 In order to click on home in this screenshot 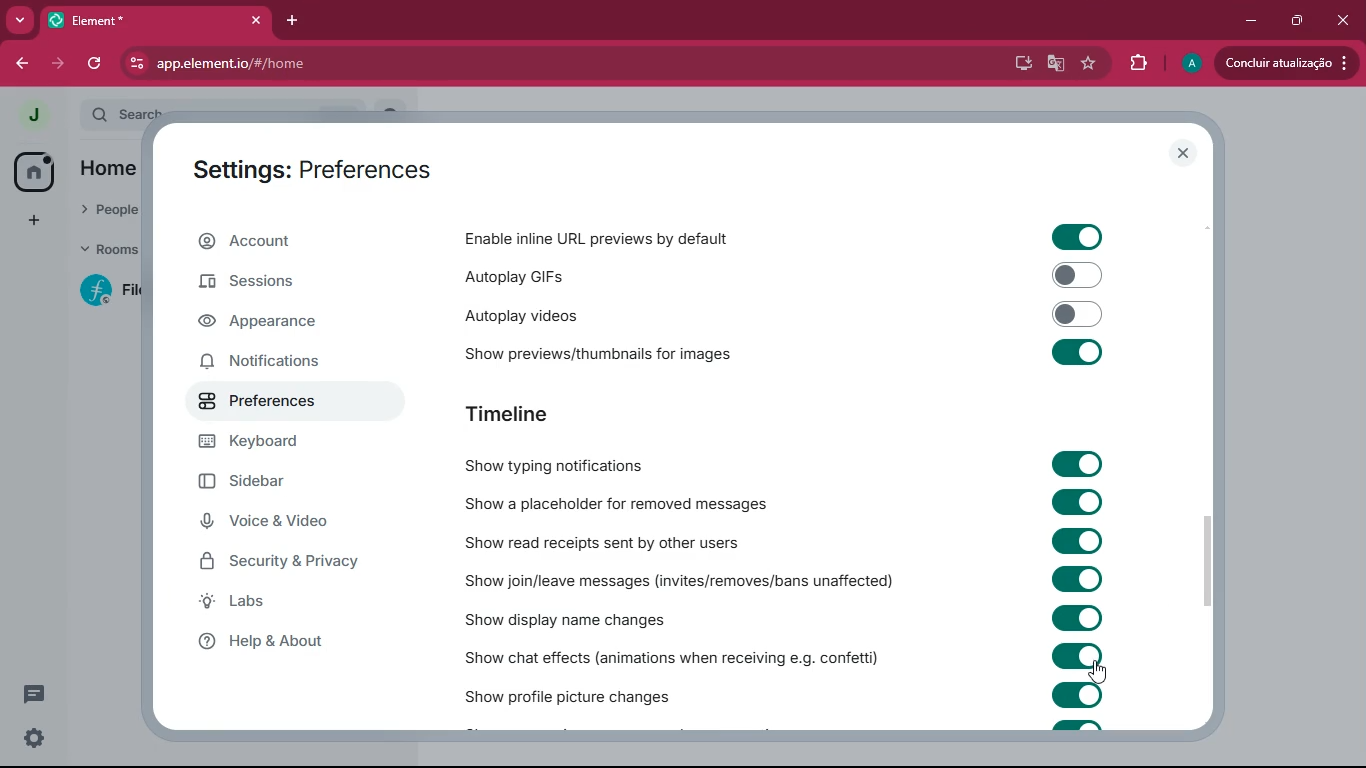, I will do `click(36, 173)`.